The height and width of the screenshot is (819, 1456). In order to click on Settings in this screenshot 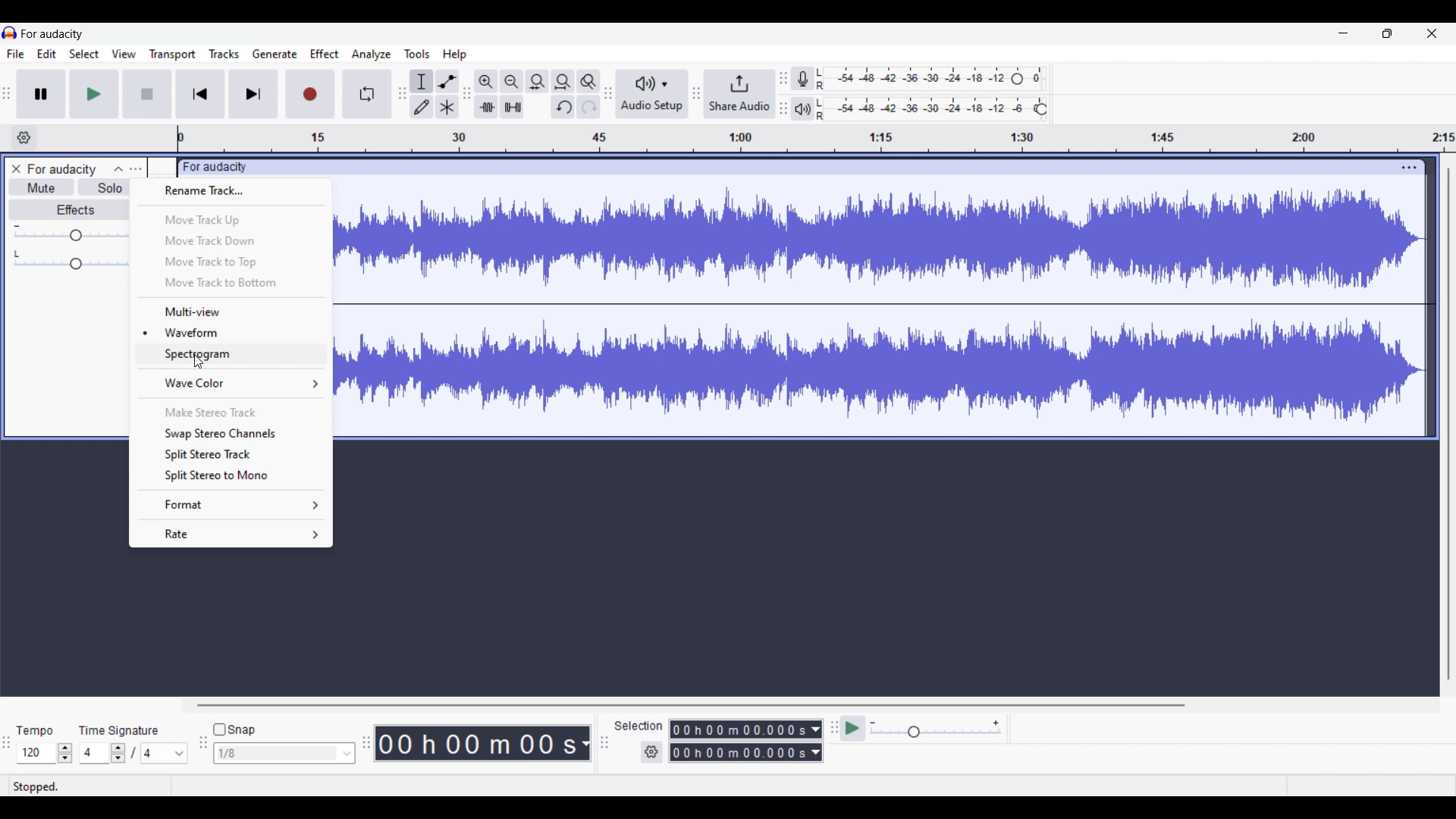, I will do `click(651, 752)`.